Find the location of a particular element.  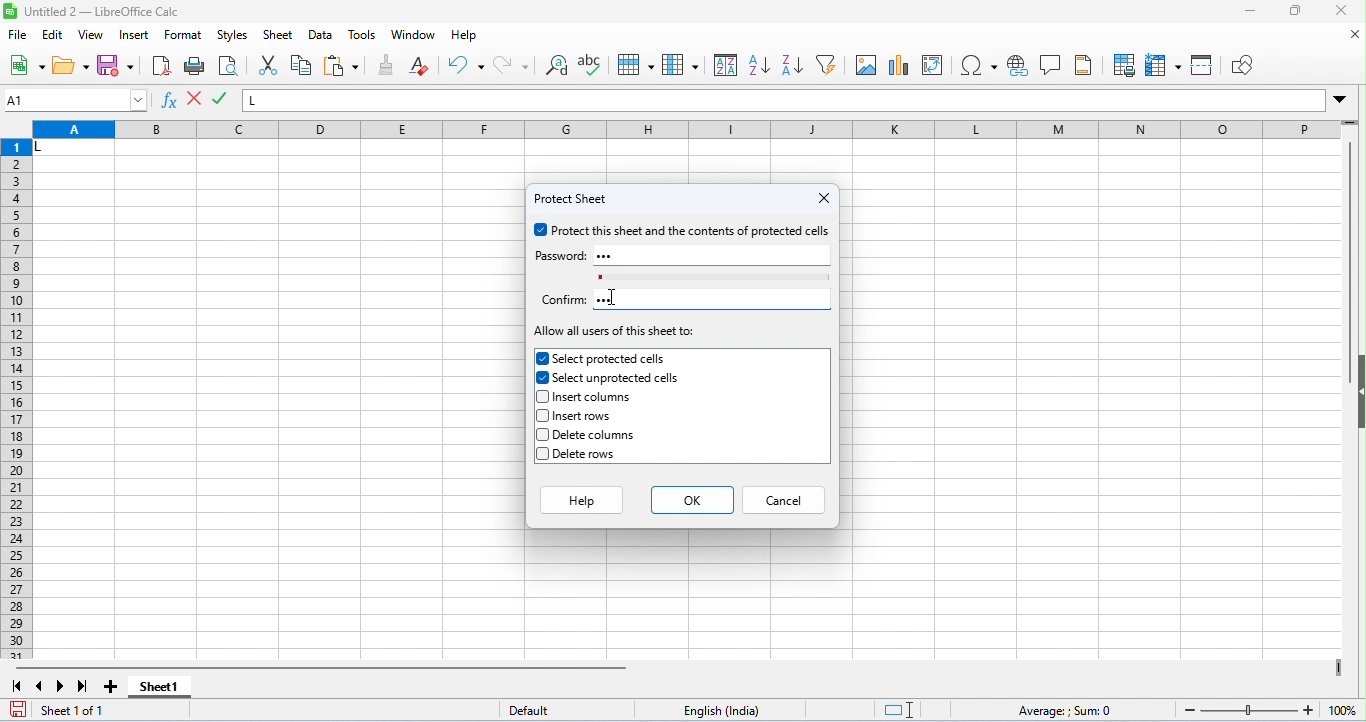

redo is located at coordinates (511, 65).